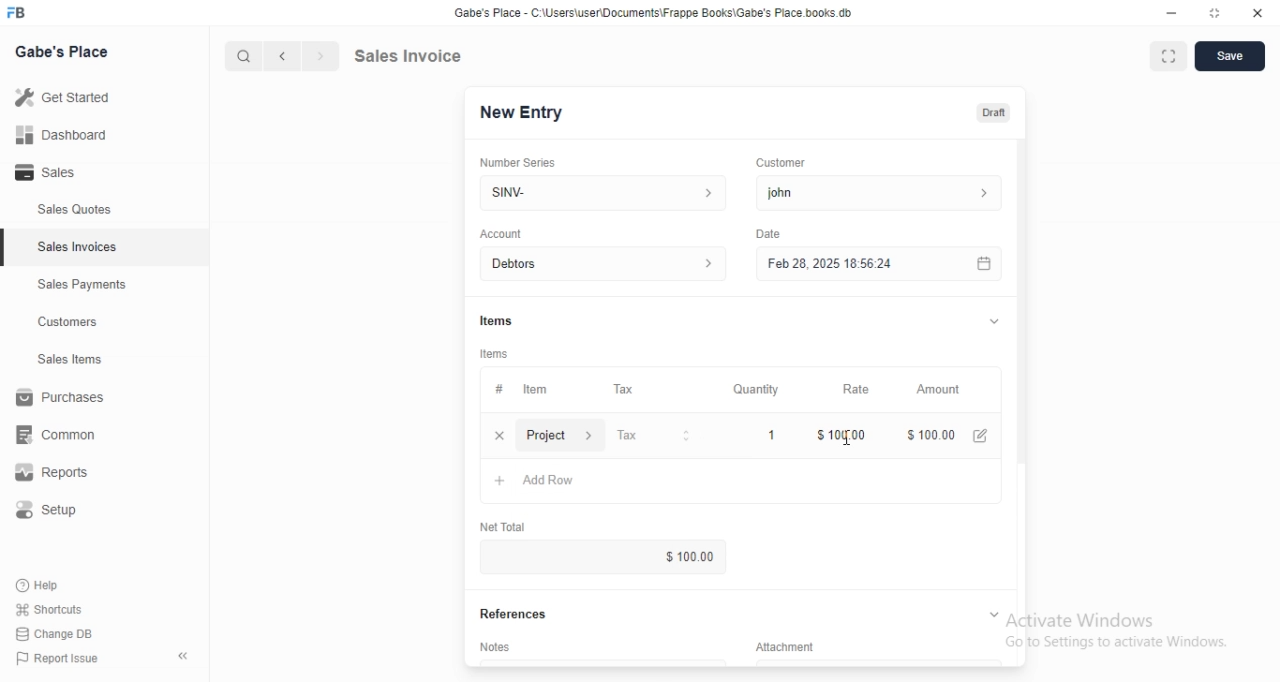 Image resolution: width=1280 pixels, height=682 pixels. I want to click on - Sales, so click(64, 175).